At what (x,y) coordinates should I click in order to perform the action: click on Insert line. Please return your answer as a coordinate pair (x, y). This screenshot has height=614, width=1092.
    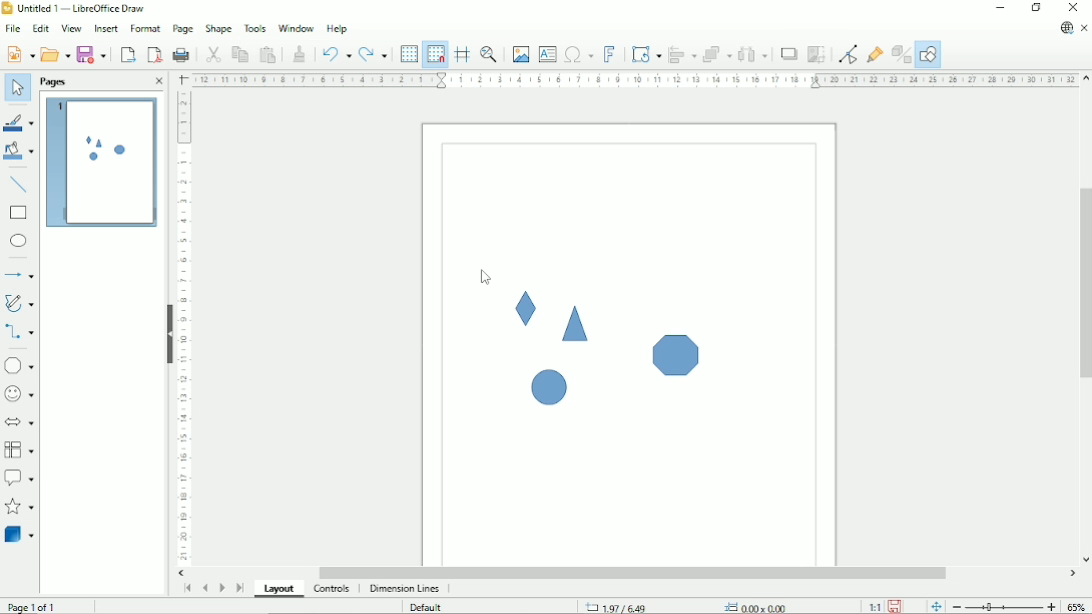
    Looking at the image, I should click on (19, 186).